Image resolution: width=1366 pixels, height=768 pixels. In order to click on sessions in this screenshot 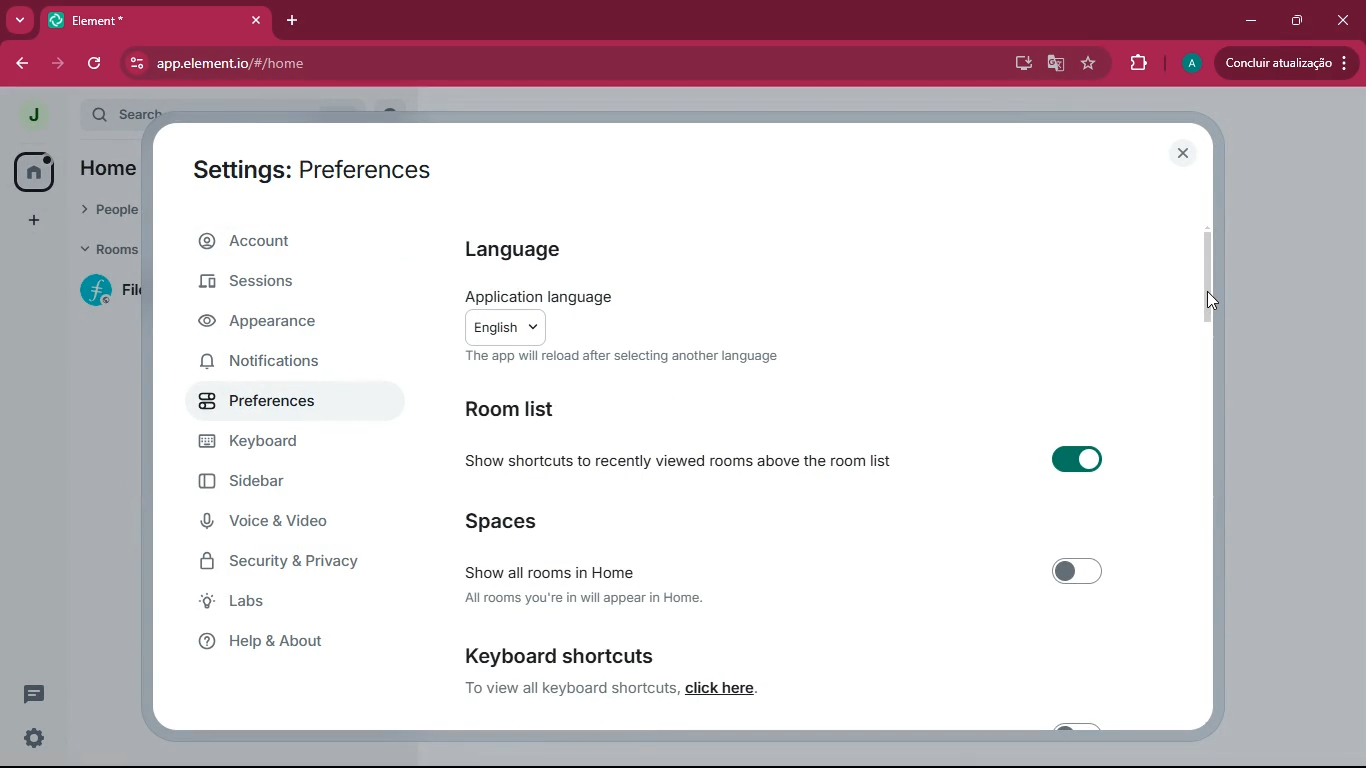, I will do `click(287, 285)`.